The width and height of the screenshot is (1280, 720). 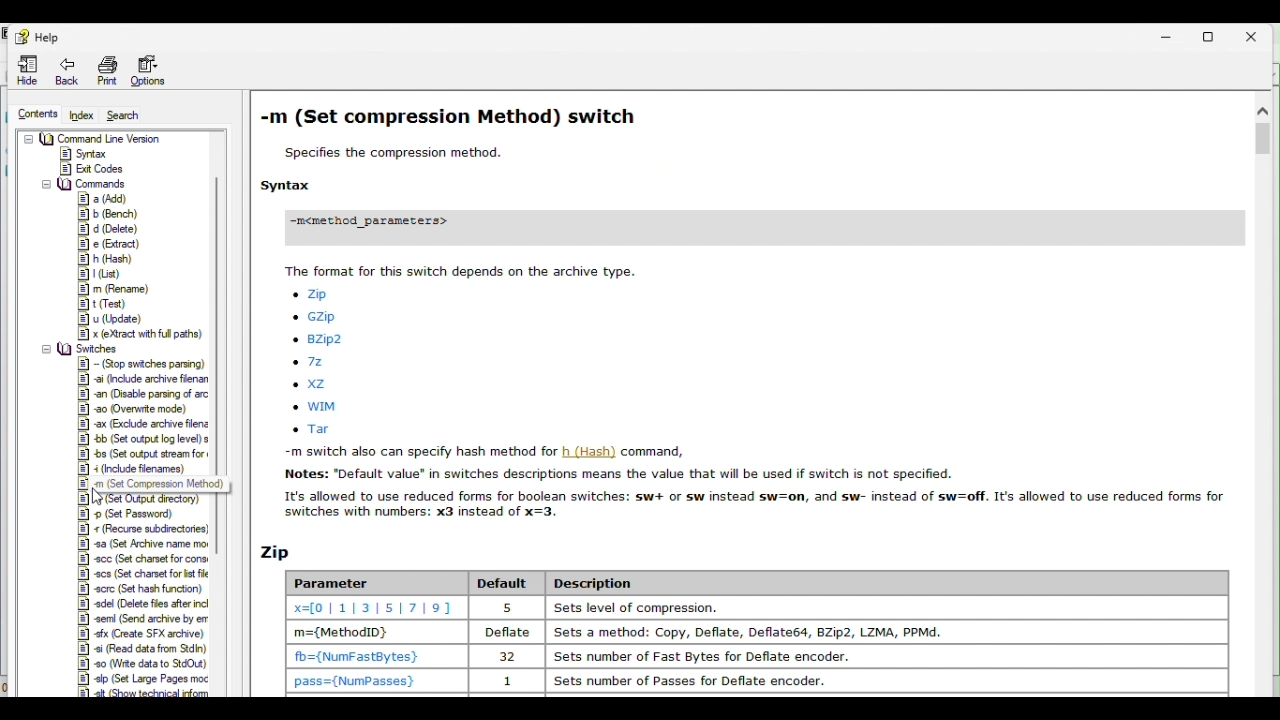 What do you see at coordinates (1261, 394) in the screenshot?
I see `Scrollbar` at bounding box center [1261, 394].